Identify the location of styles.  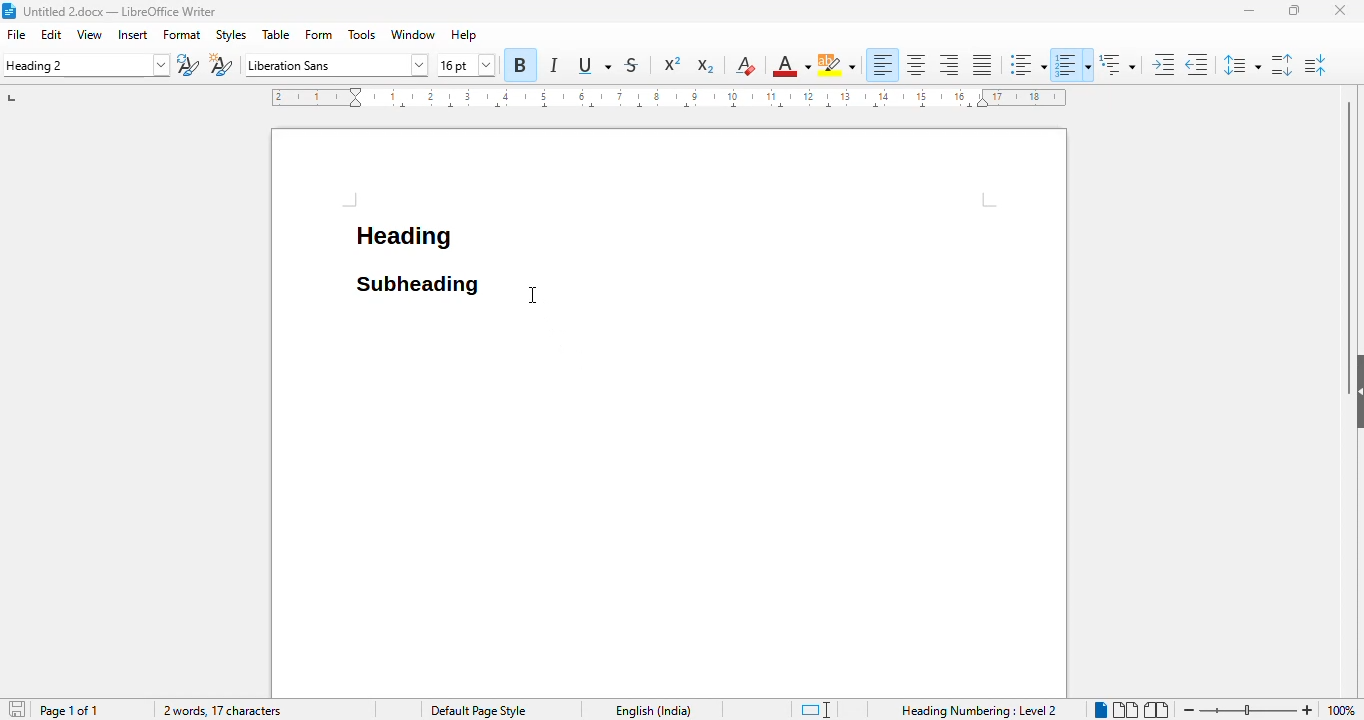
(232, 35).